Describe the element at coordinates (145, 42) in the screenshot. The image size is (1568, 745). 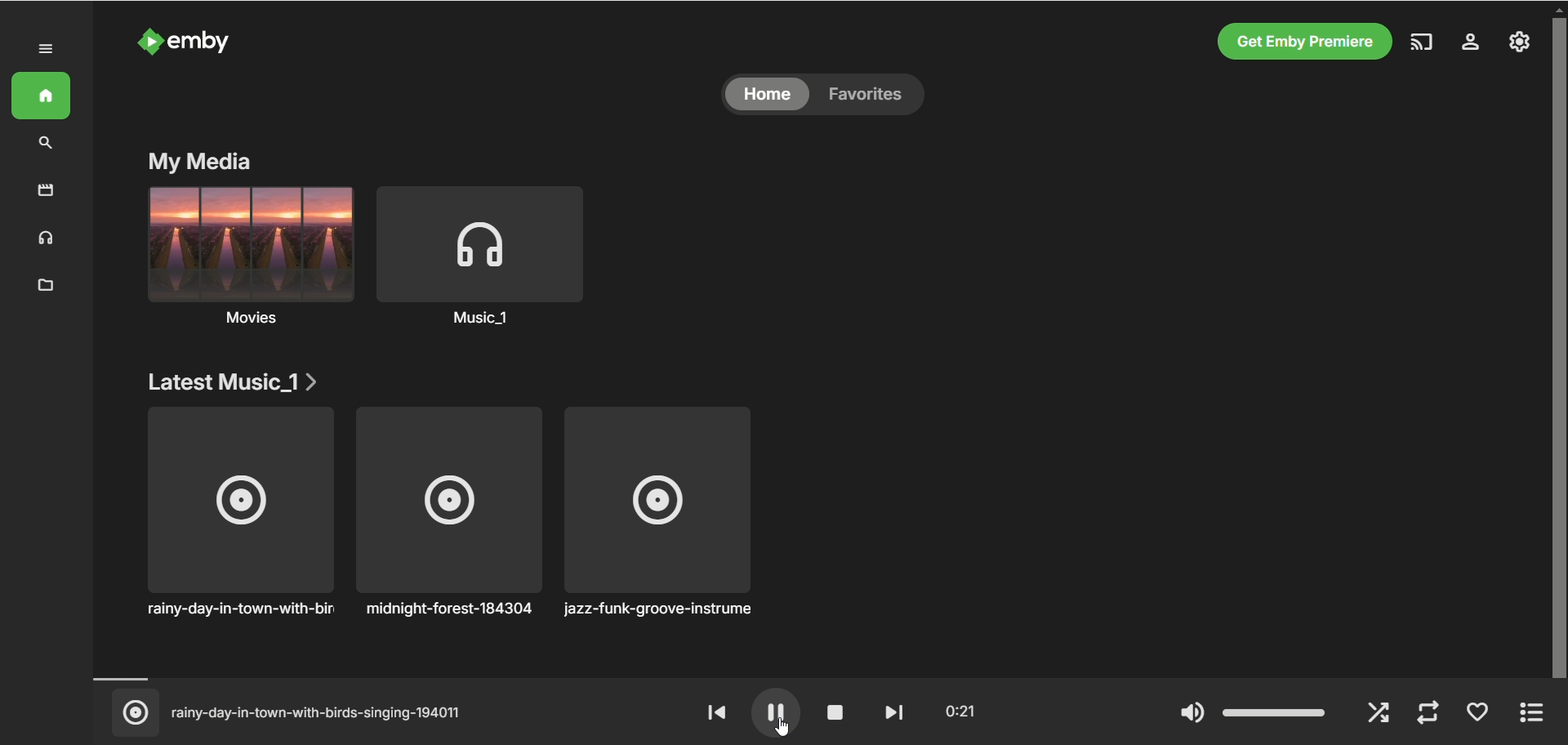
I see `logo` at that location.